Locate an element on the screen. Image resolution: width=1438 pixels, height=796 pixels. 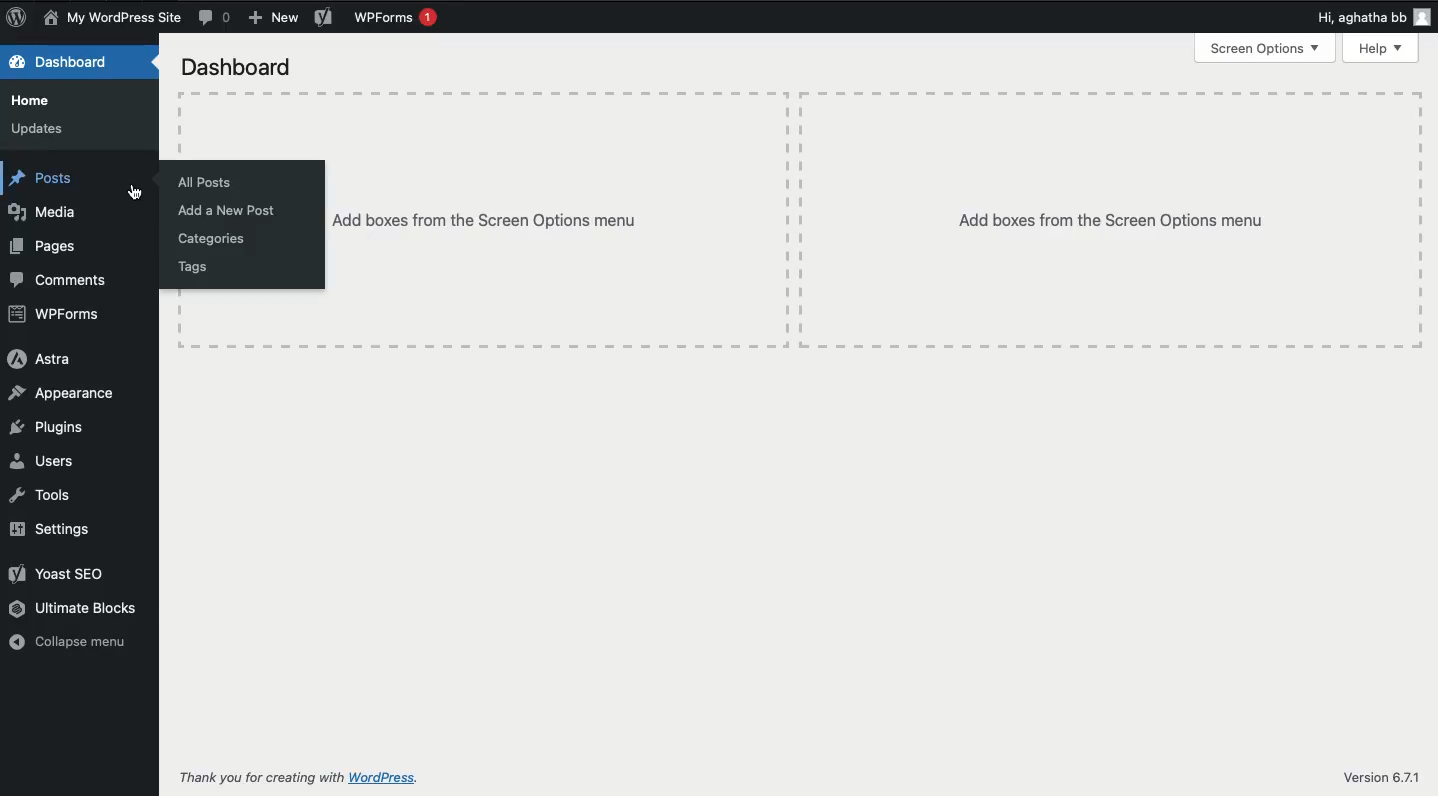
Collapse menu is located at coordinates (67, 640).